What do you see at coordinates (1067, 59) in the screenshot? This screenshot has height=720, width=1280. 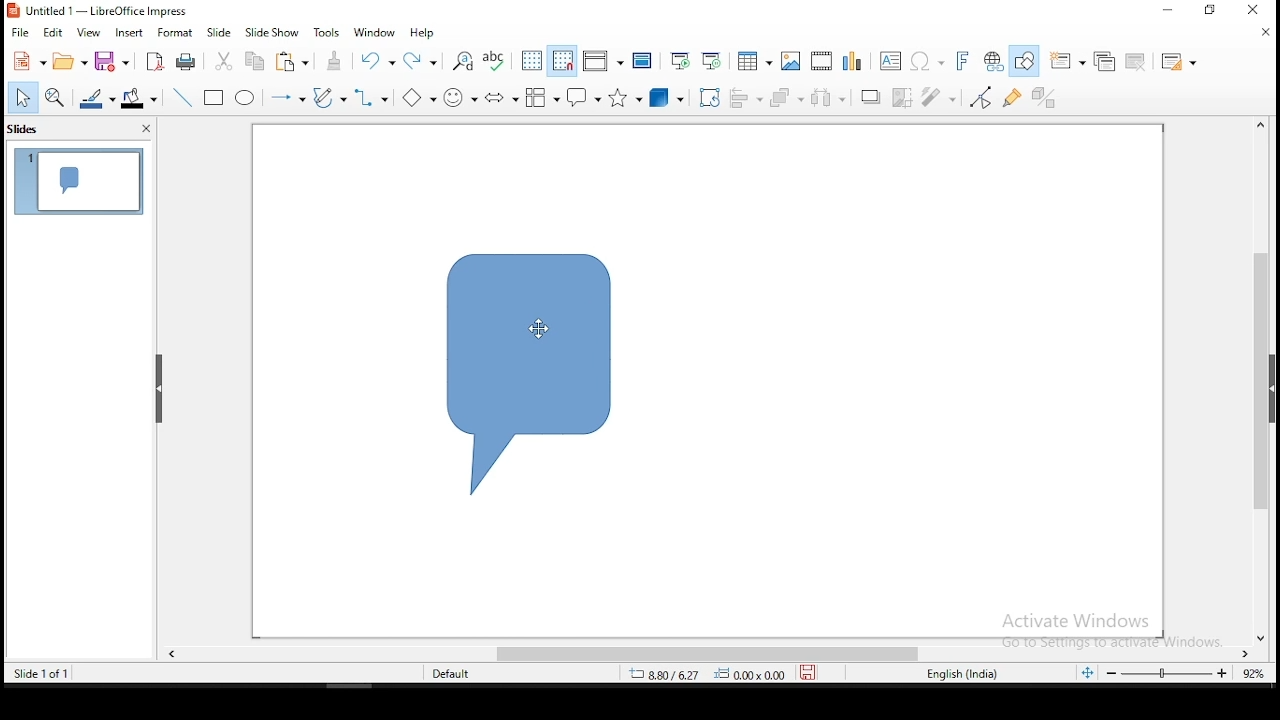 I see `new slide` at bounding box center [1067, 59].